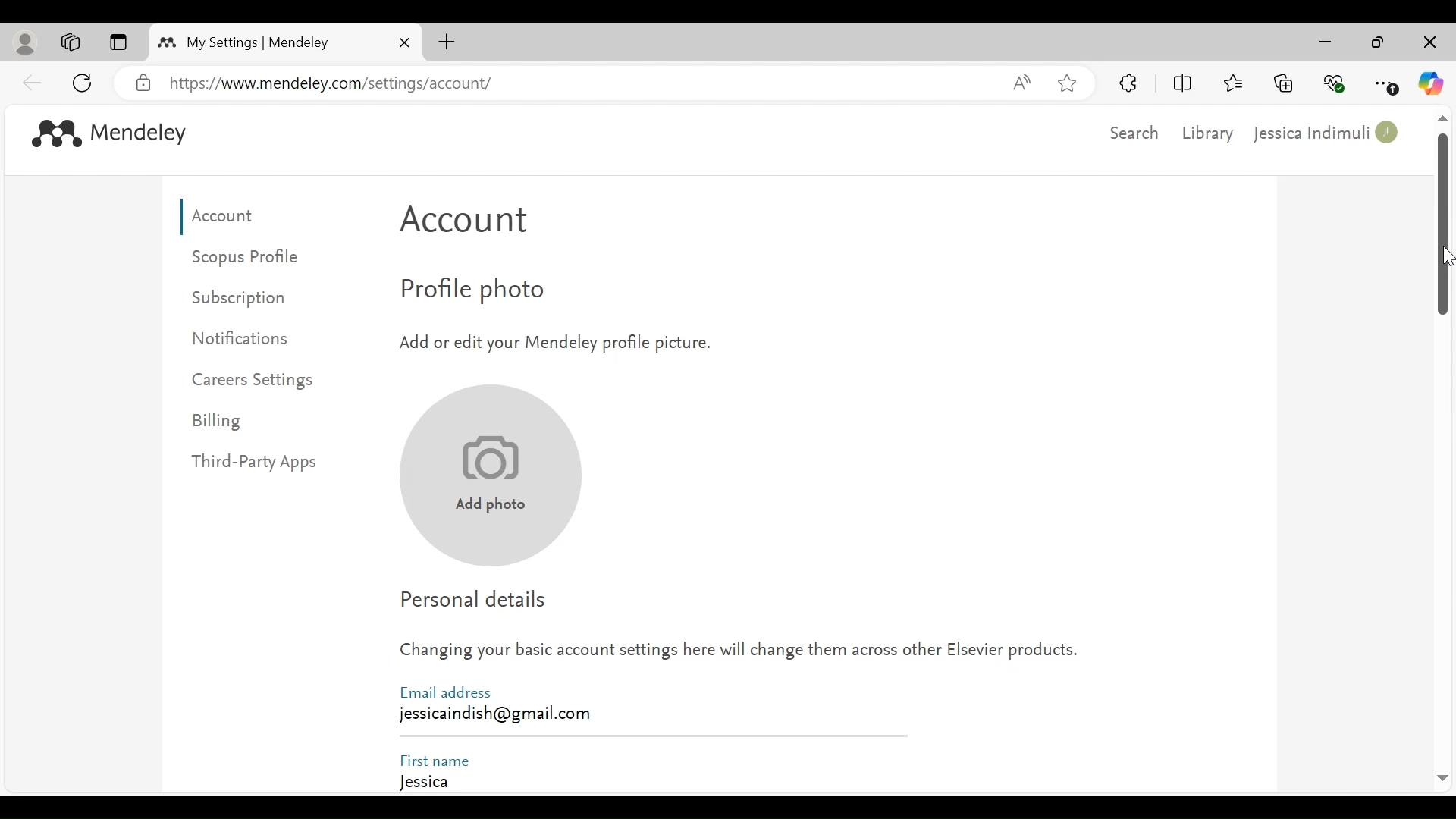  What do you see at coordinates (266, 463) in the screenshot?
I see `Third Party Apps` at bounding box center [266, 463].